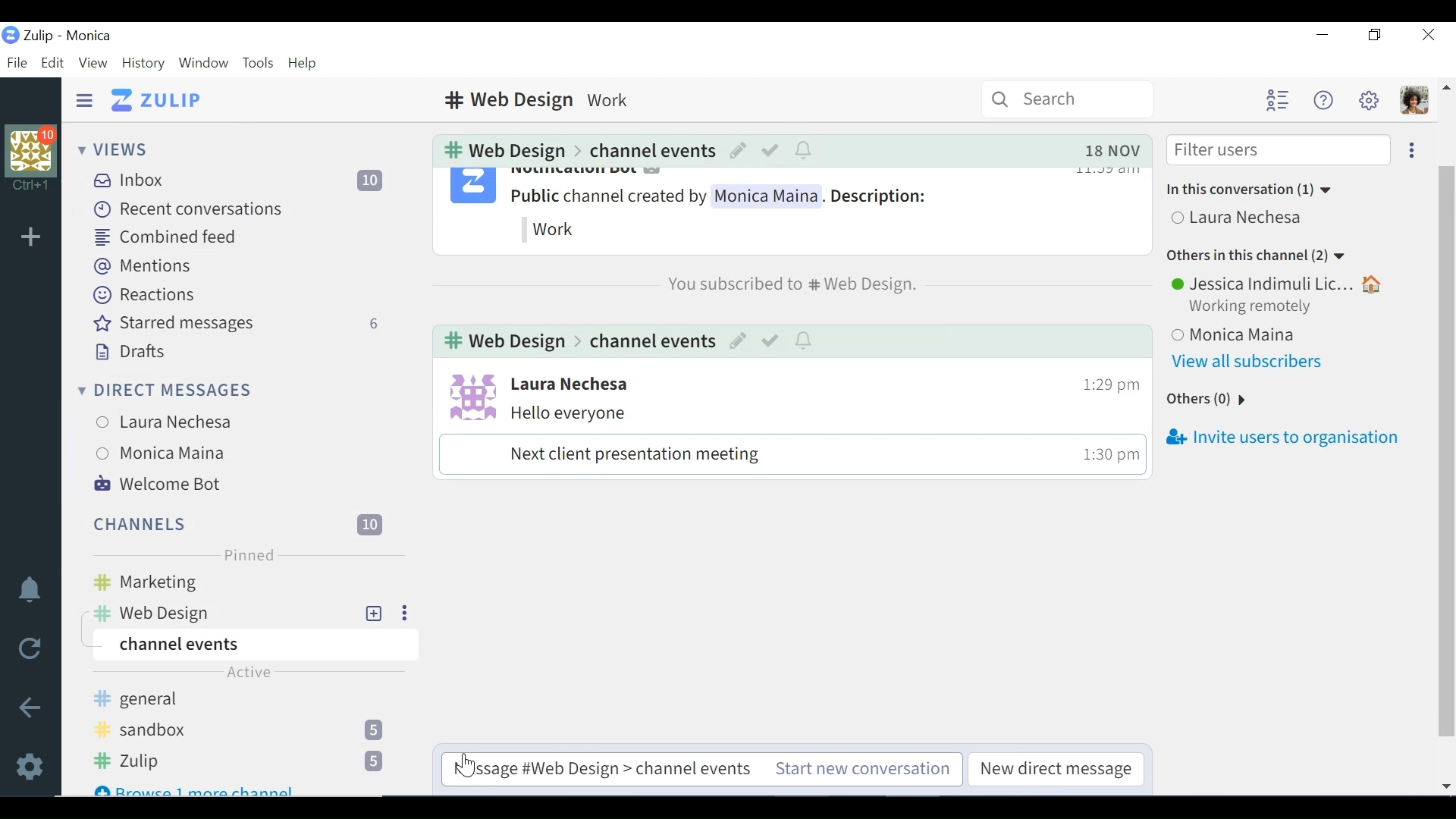 This screenshot has height=819, width=1456. Describe the element at coordinates (673, 769) in the screenshot. I see `Start new conversation` at that location.